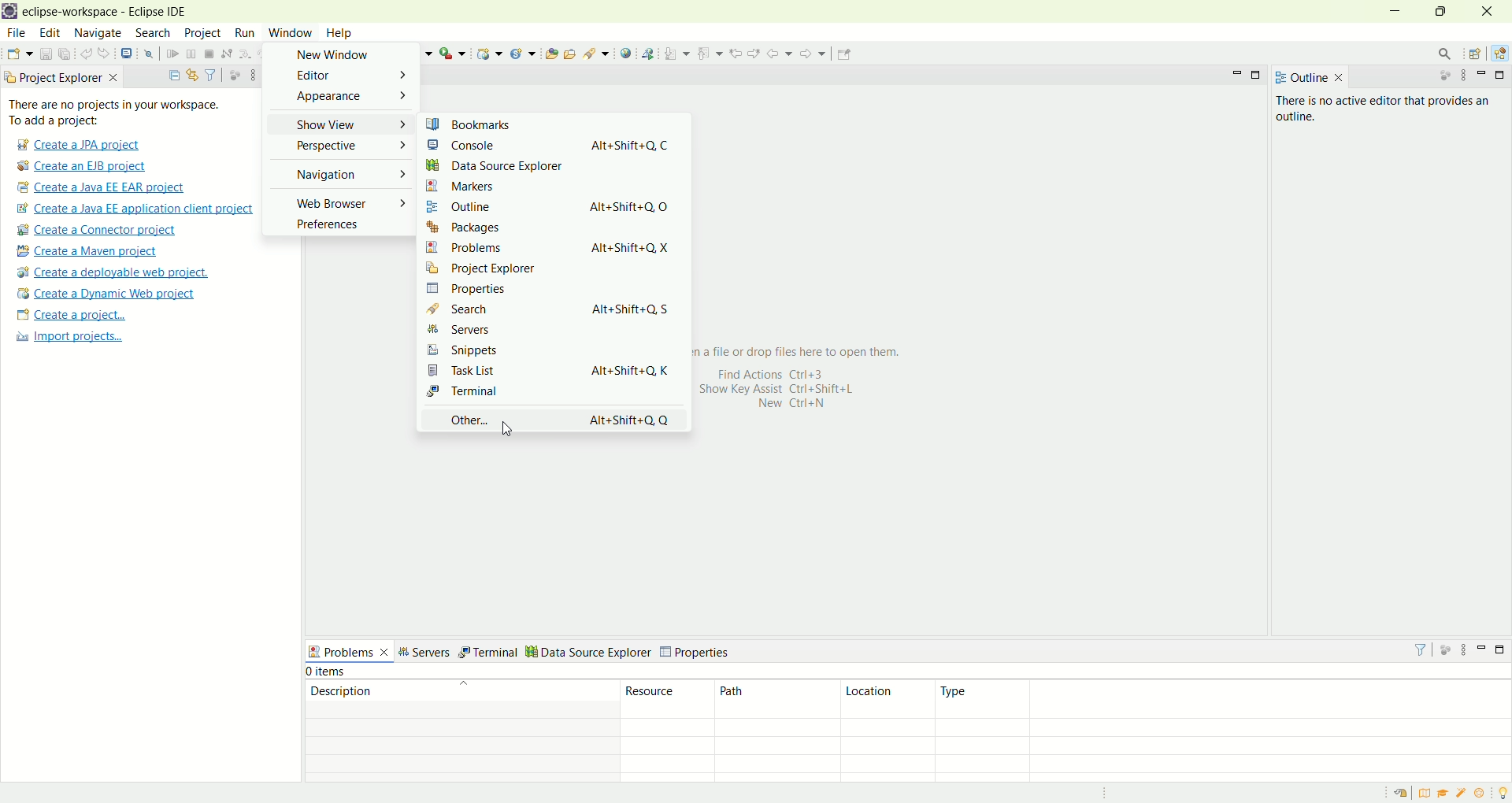  I want to click on open web browser, so click(626, 54).